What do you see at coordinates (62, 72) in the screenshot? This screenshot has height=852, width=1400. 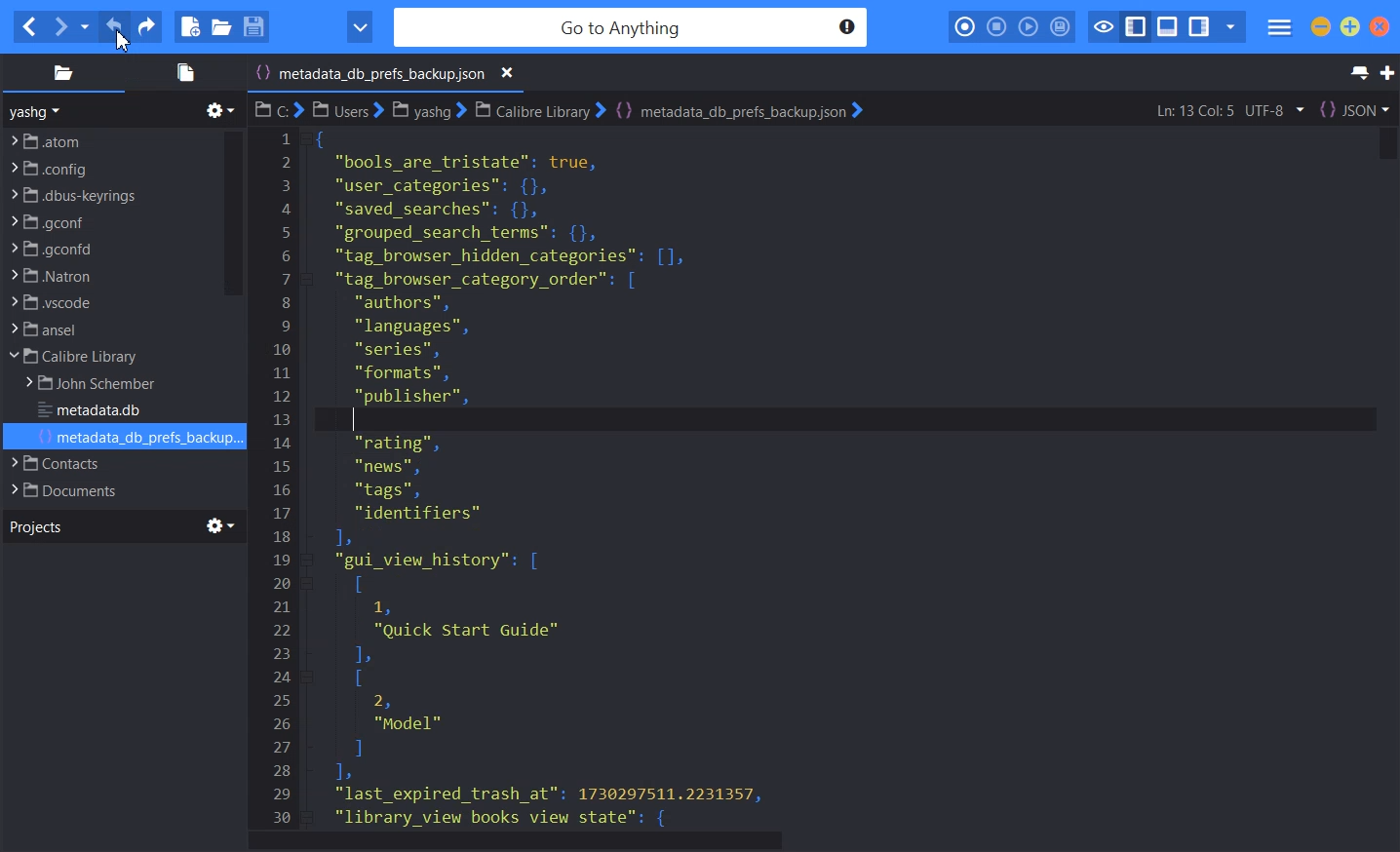 I see `Places` at bounding box center [62, 72].